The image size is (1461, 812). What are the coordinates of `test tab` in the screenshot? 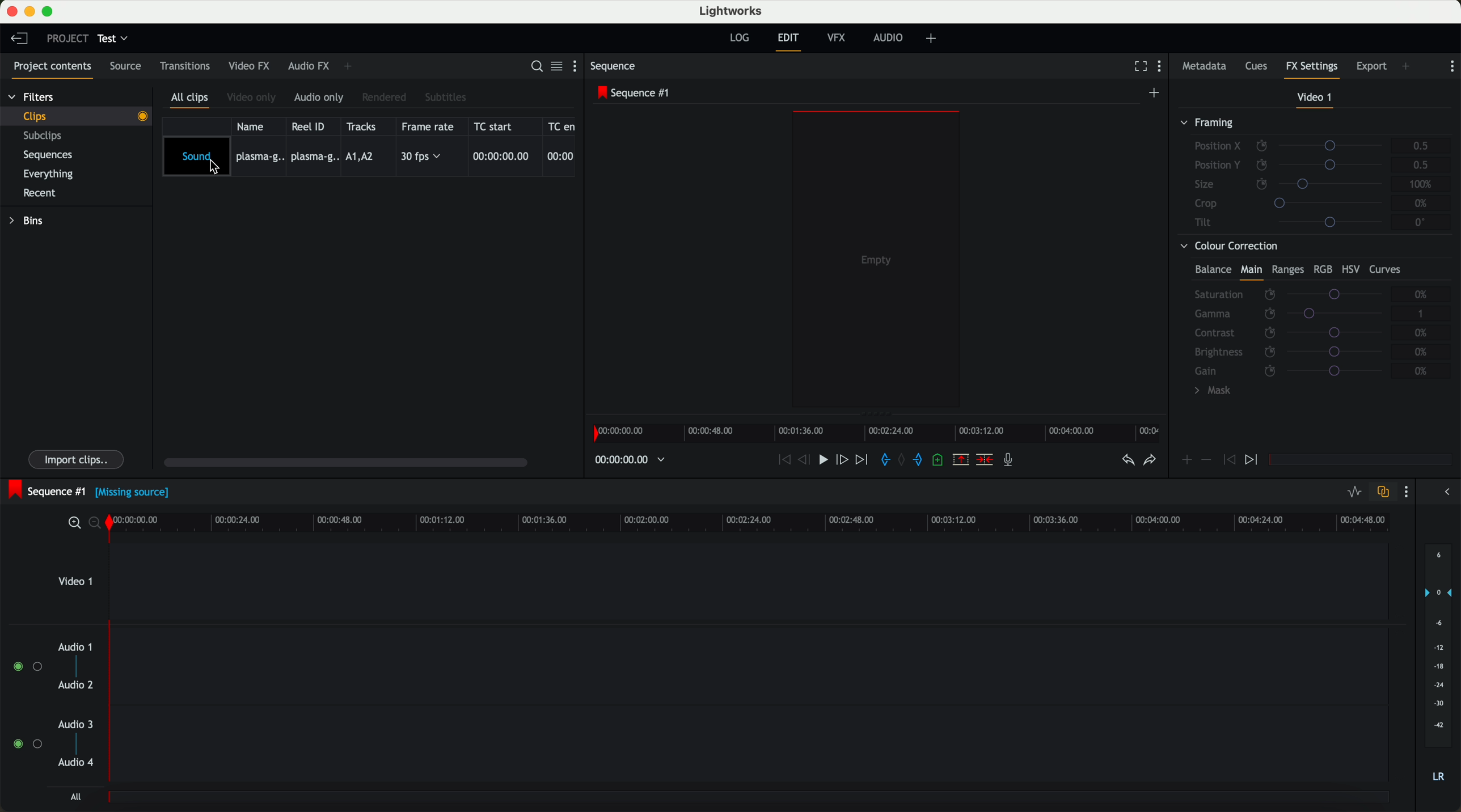 It's located at (114, 36).